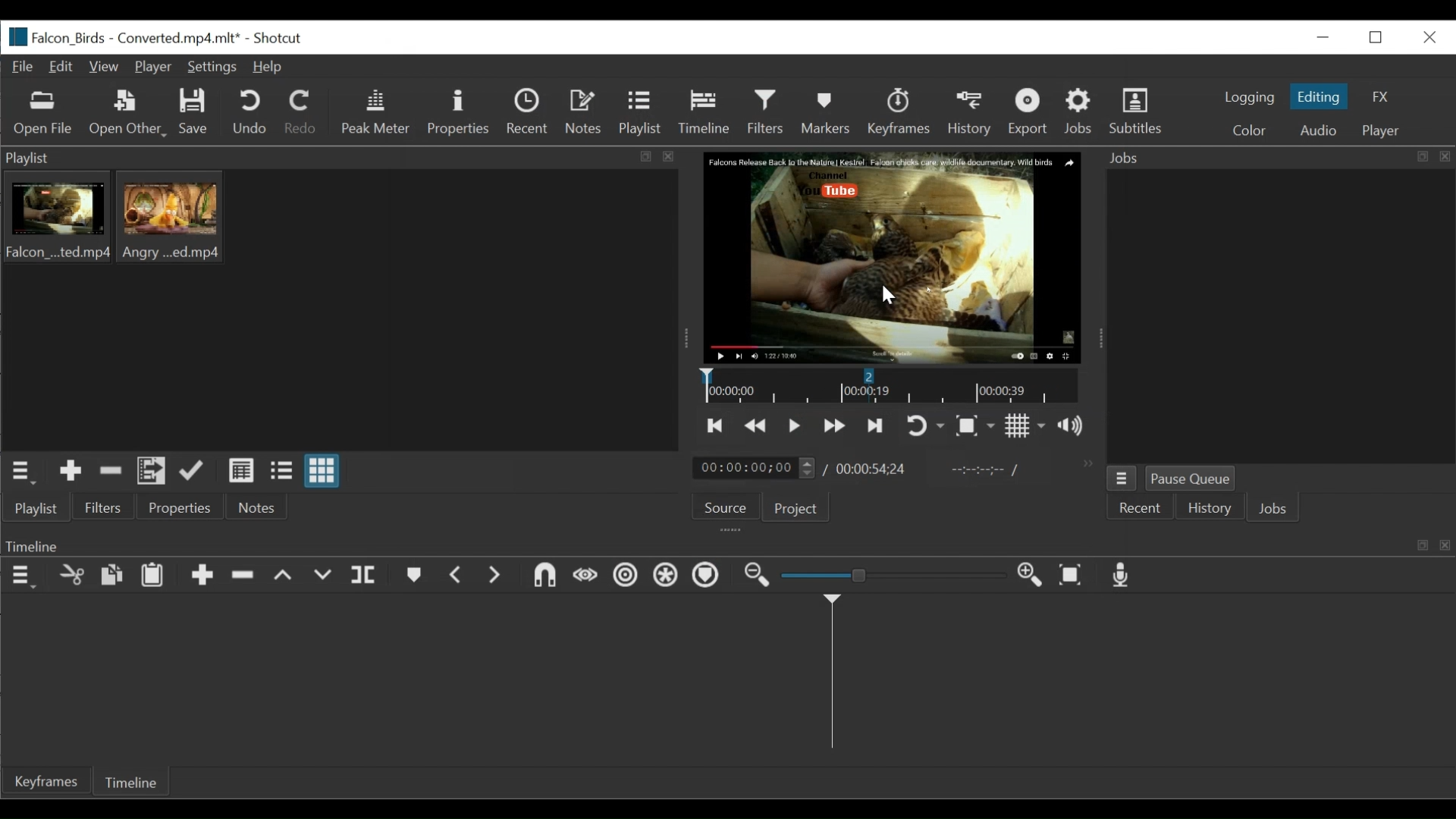 Image resolution: width=1456 pixels, height=819 pixels. What do you see at coordinates (285, 472) in the screenshot?
I see `View as files` at bounding box center [285, 472].